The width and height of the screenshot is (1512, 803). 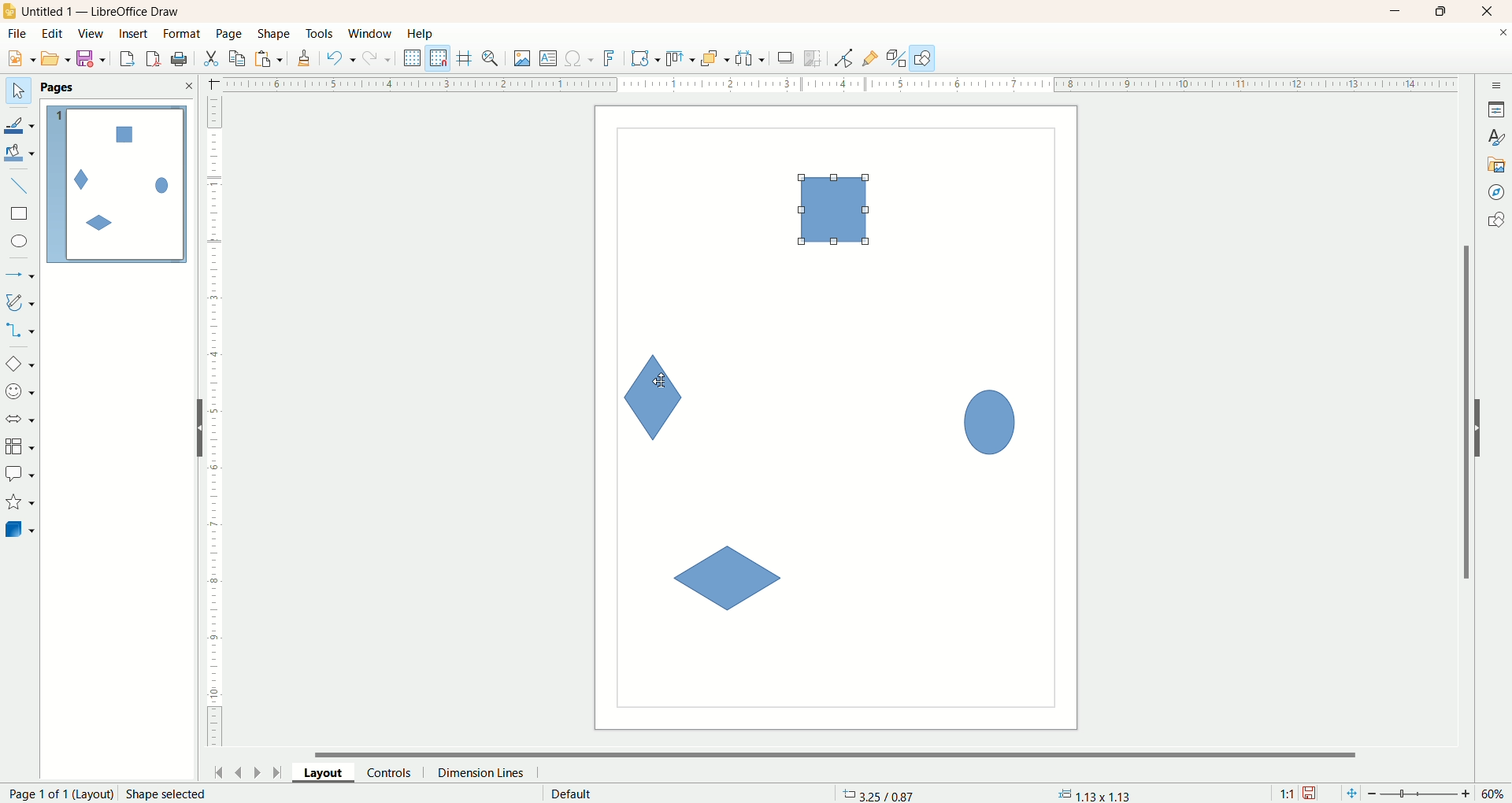 What do you see at coordinates (1496, 109) in the screenshot?
I see `properties` at bounding box center [1496, 109].